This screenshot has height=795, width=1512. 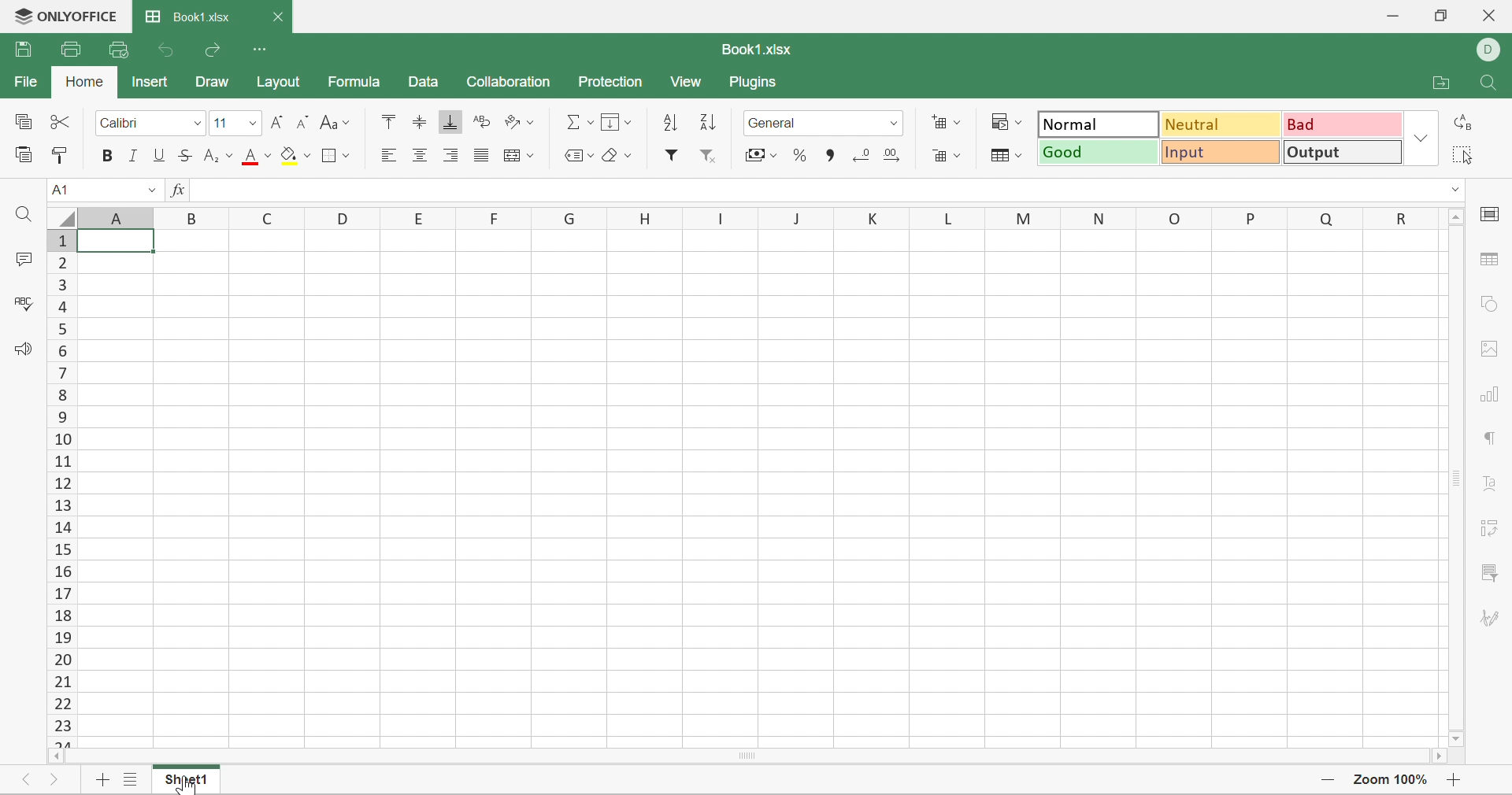 I want to click on C, so click(x=269, y=217).